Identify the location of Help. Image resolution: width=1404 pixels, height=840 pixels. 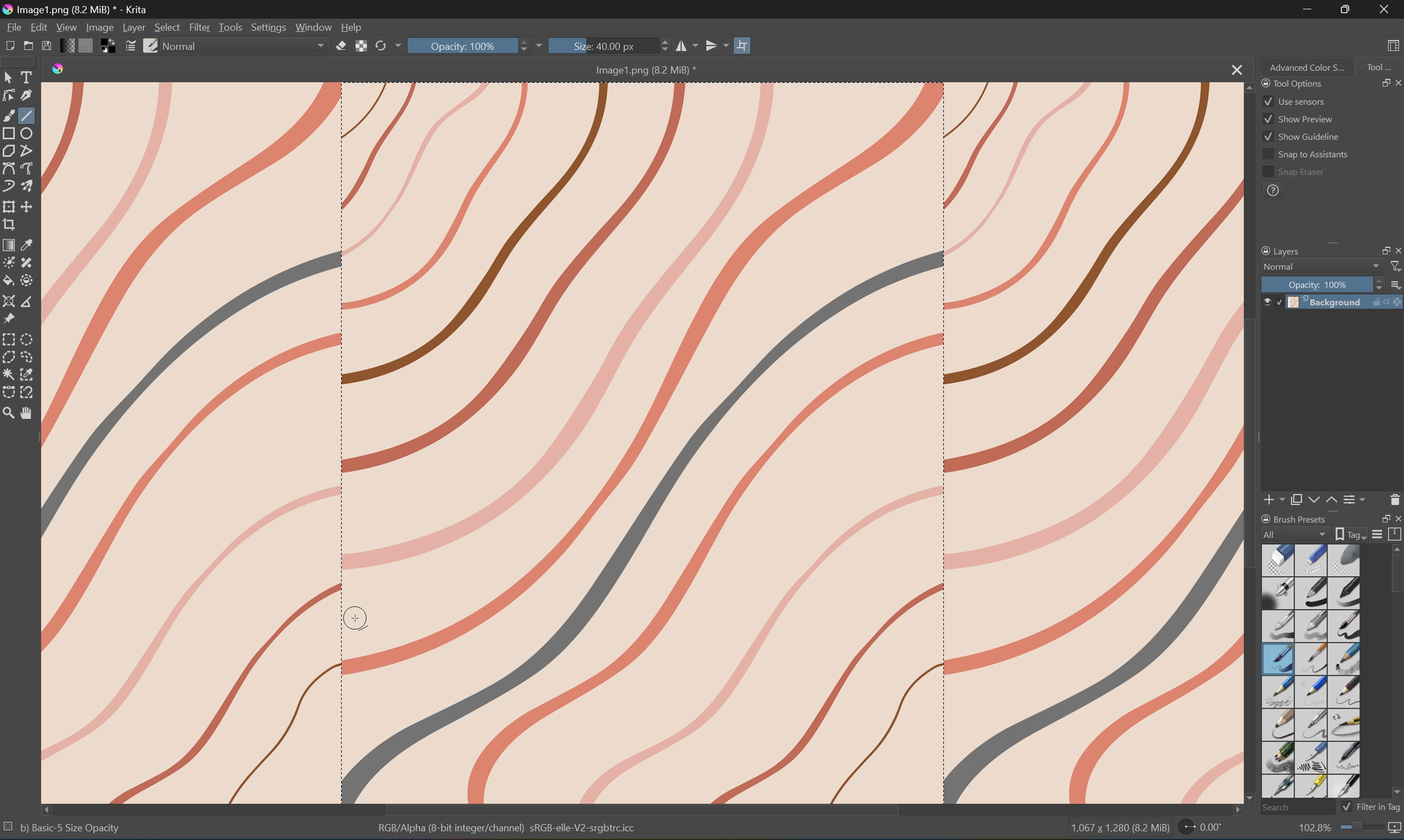
(354, 28).